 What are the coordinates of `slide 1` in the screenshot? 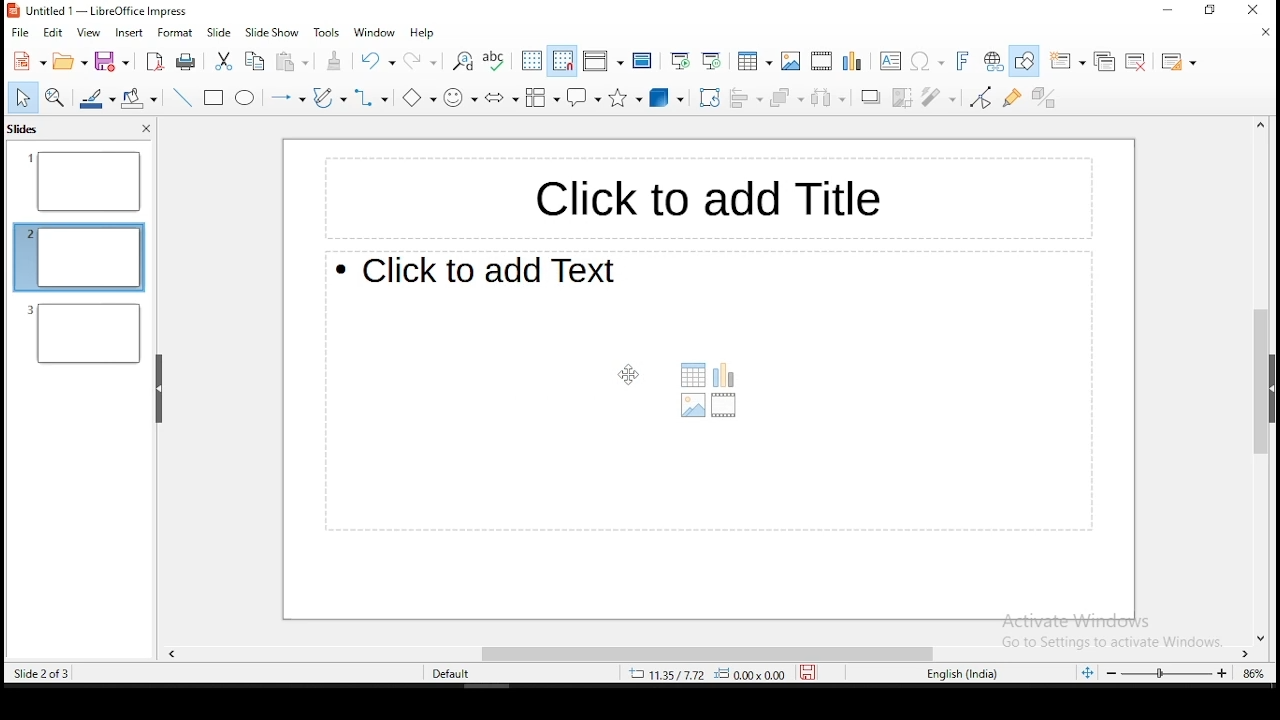 It's located at (84, 182).